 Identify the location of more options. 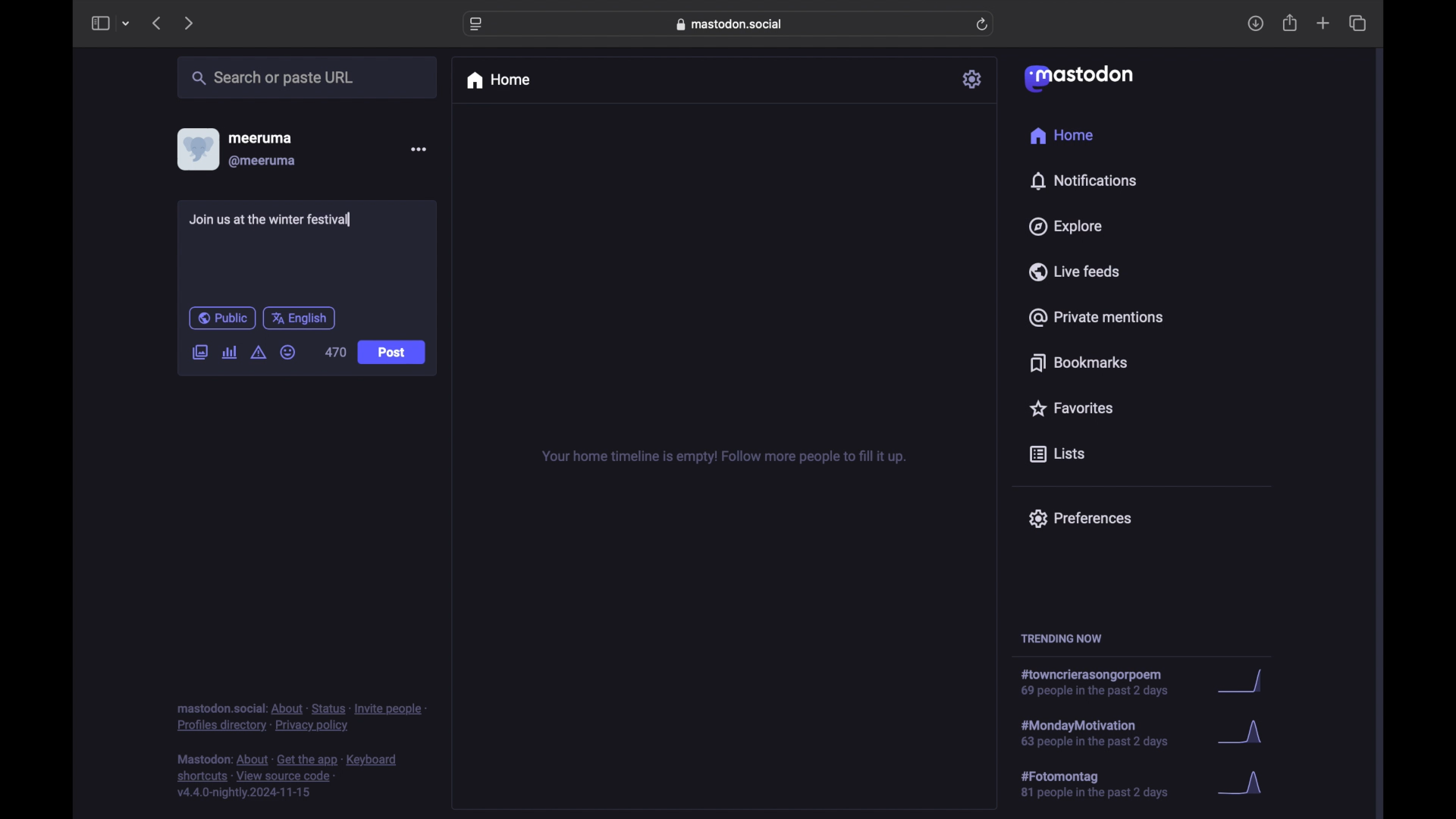
(419, 149).